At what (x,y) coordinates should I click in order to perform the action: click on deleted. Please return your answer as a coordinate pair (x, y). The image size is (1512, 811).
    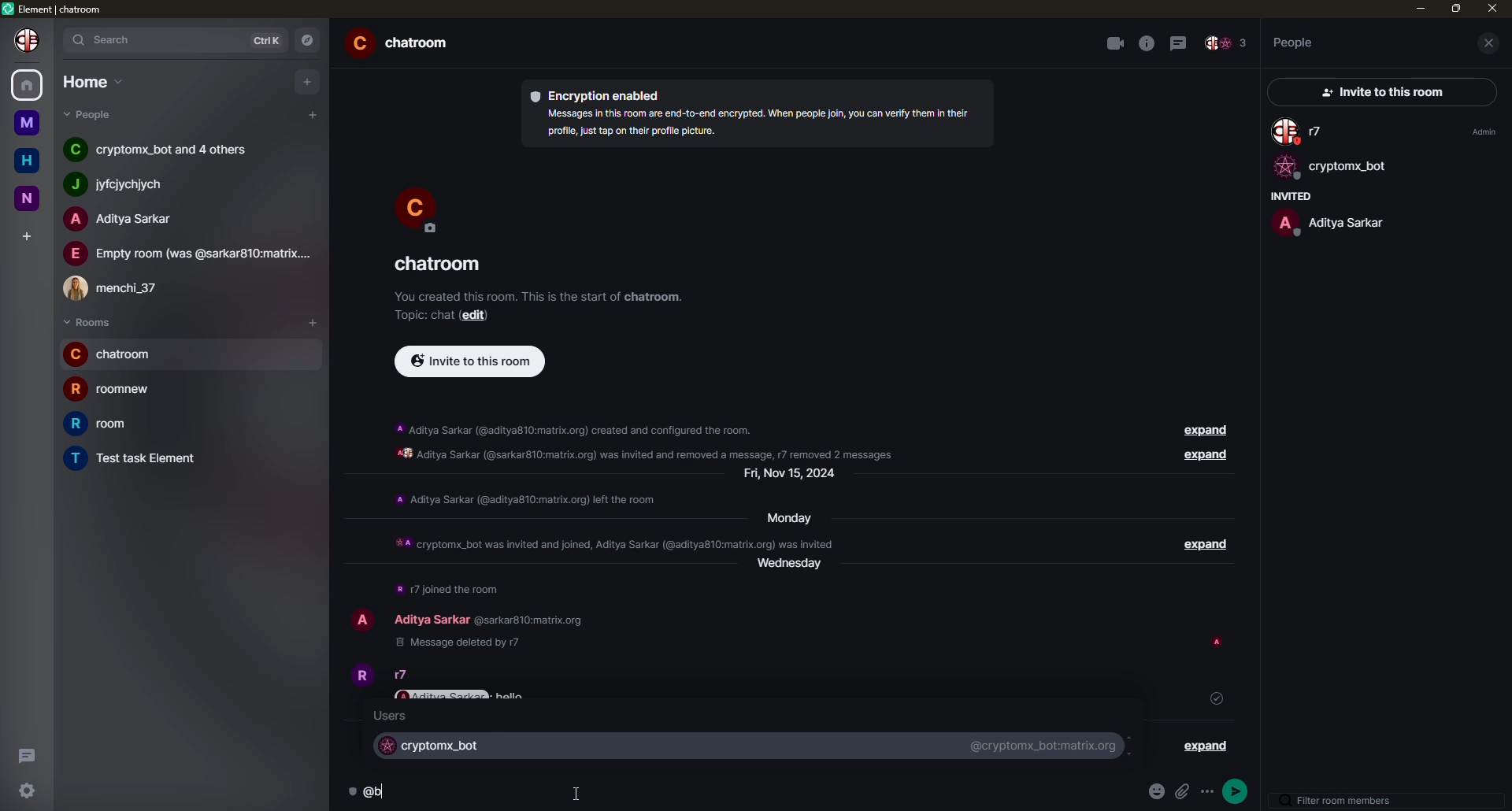
    Looking at the image, I should click on (455, 643).